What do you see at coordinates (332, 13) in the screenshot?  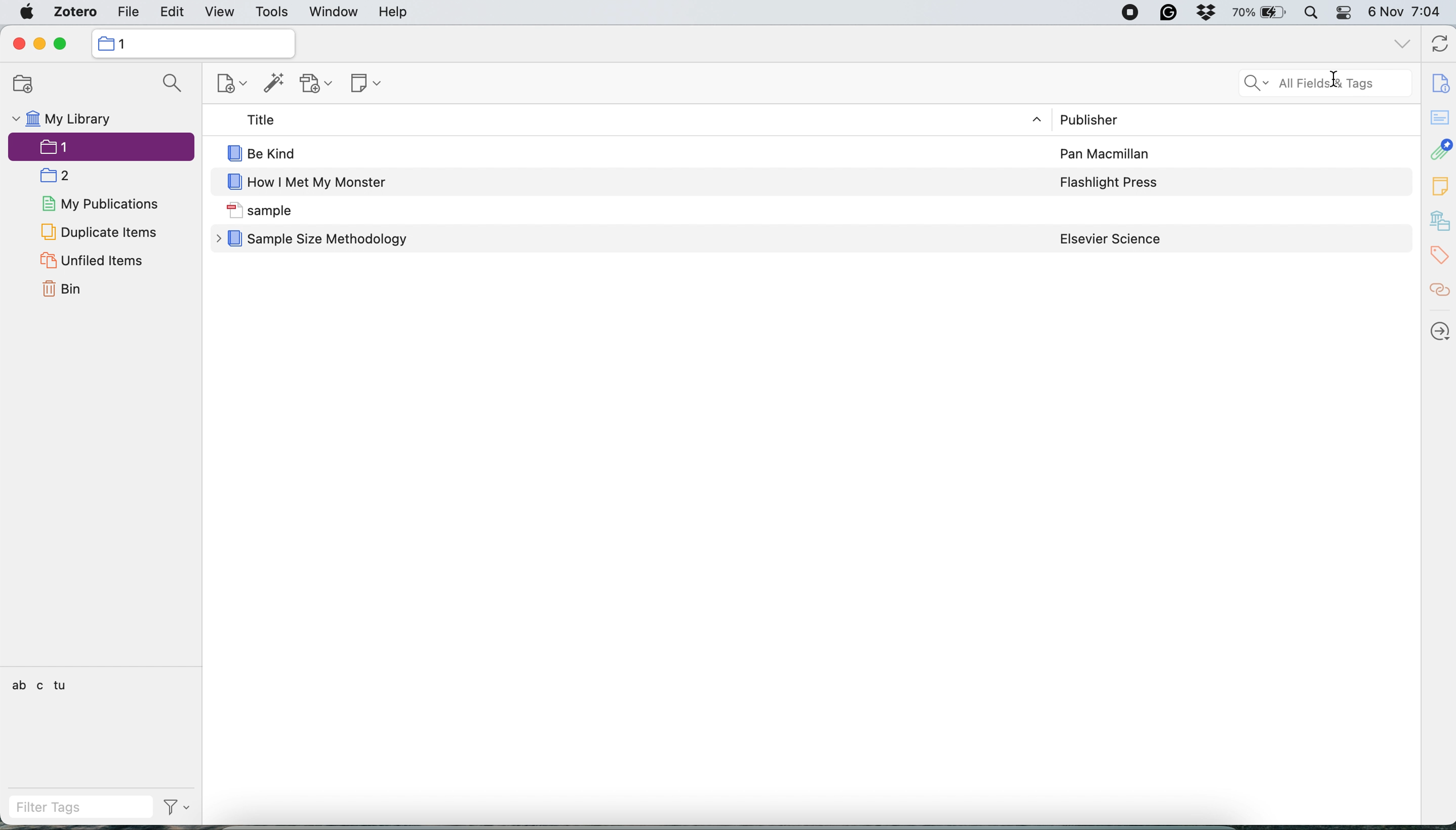 I see `window` at bounding box center [332, 13].